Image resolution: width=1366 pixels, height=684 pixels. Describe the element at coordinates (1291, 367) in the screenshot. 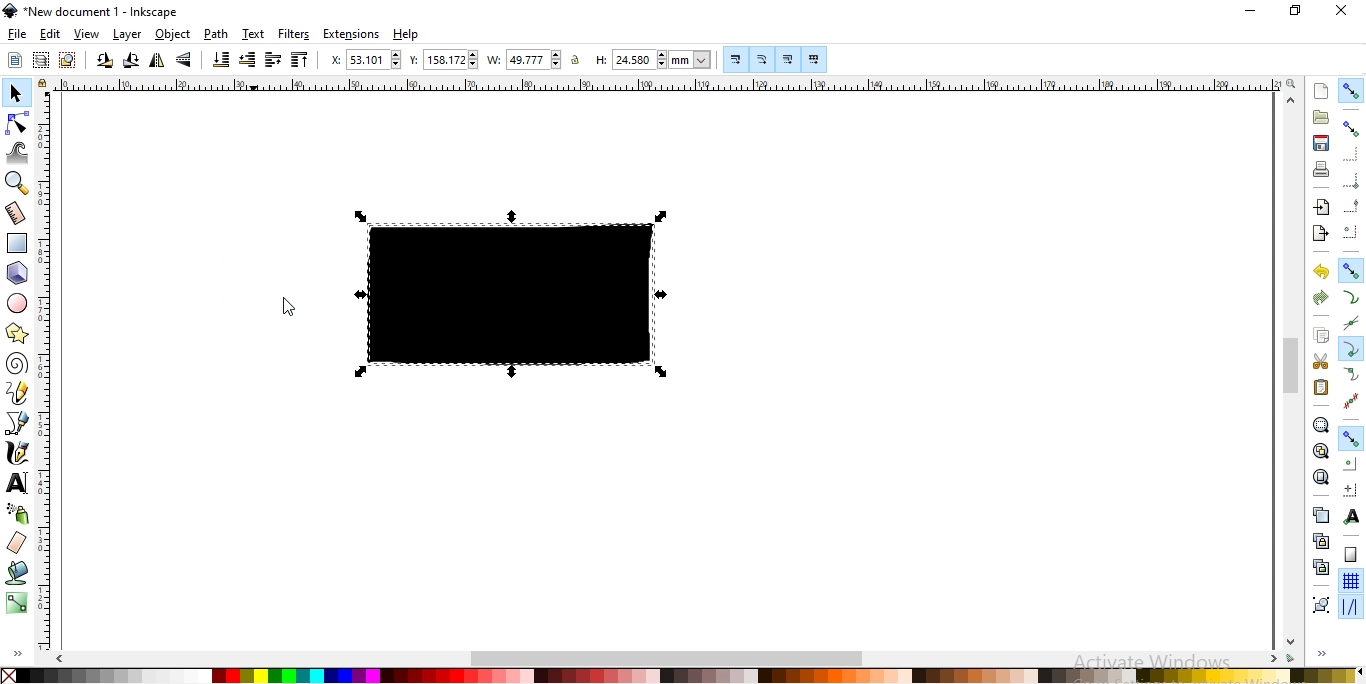

I see `scrollbar` at that location.